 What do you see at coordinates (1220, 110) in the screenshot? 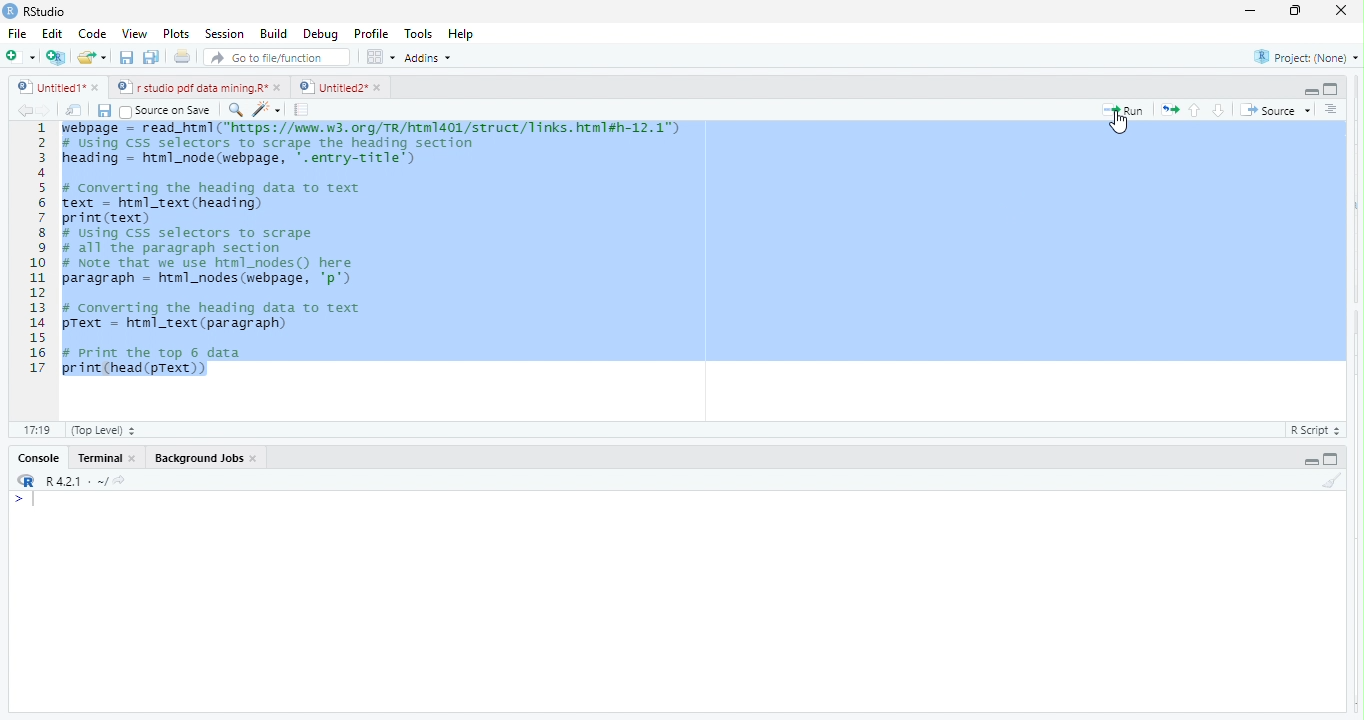
I see `go to next section/chunk` at bounding box center [1220, 110].